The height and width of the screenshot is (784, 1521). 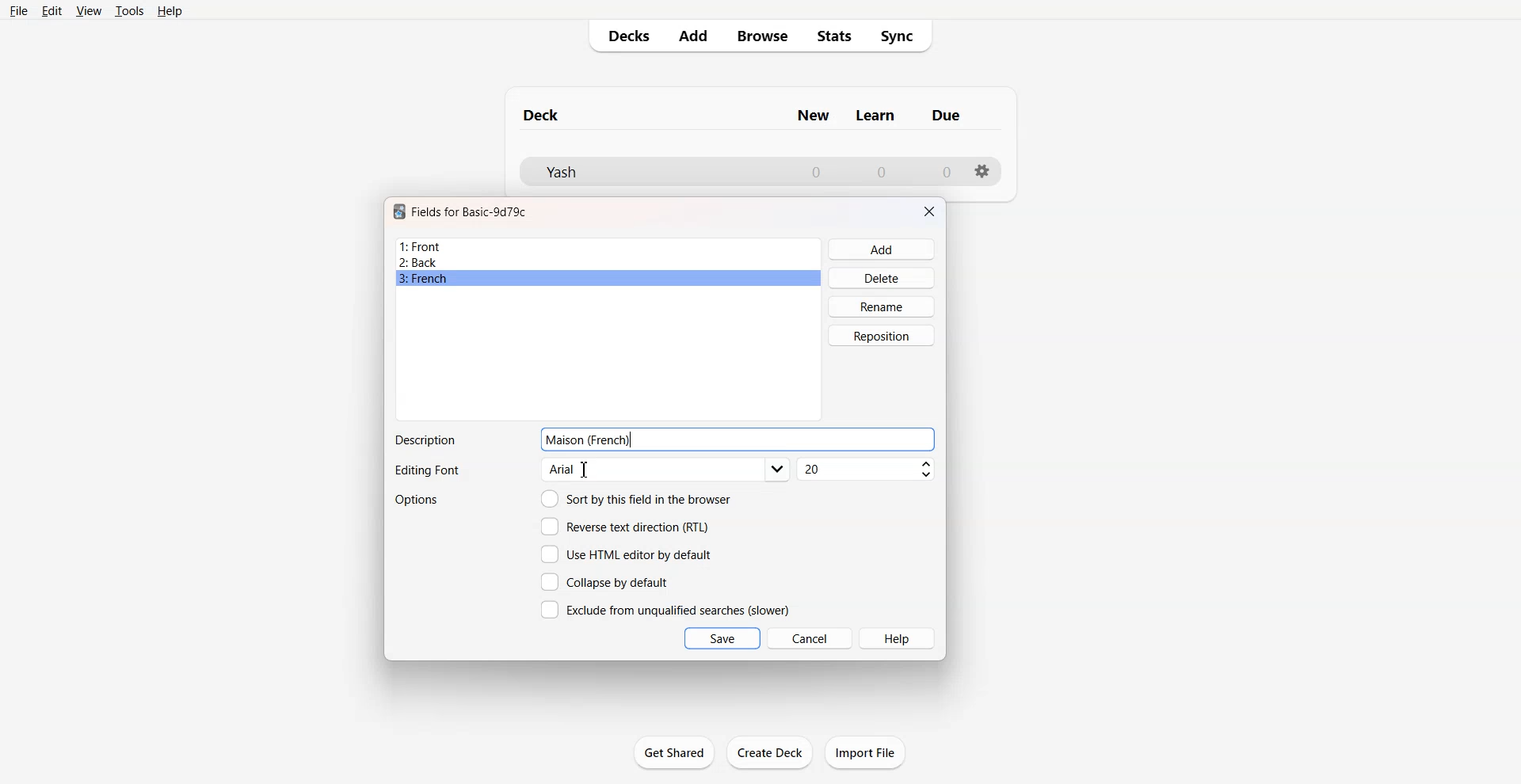 I want to click on Editing font options, so click(x=666, y=470).